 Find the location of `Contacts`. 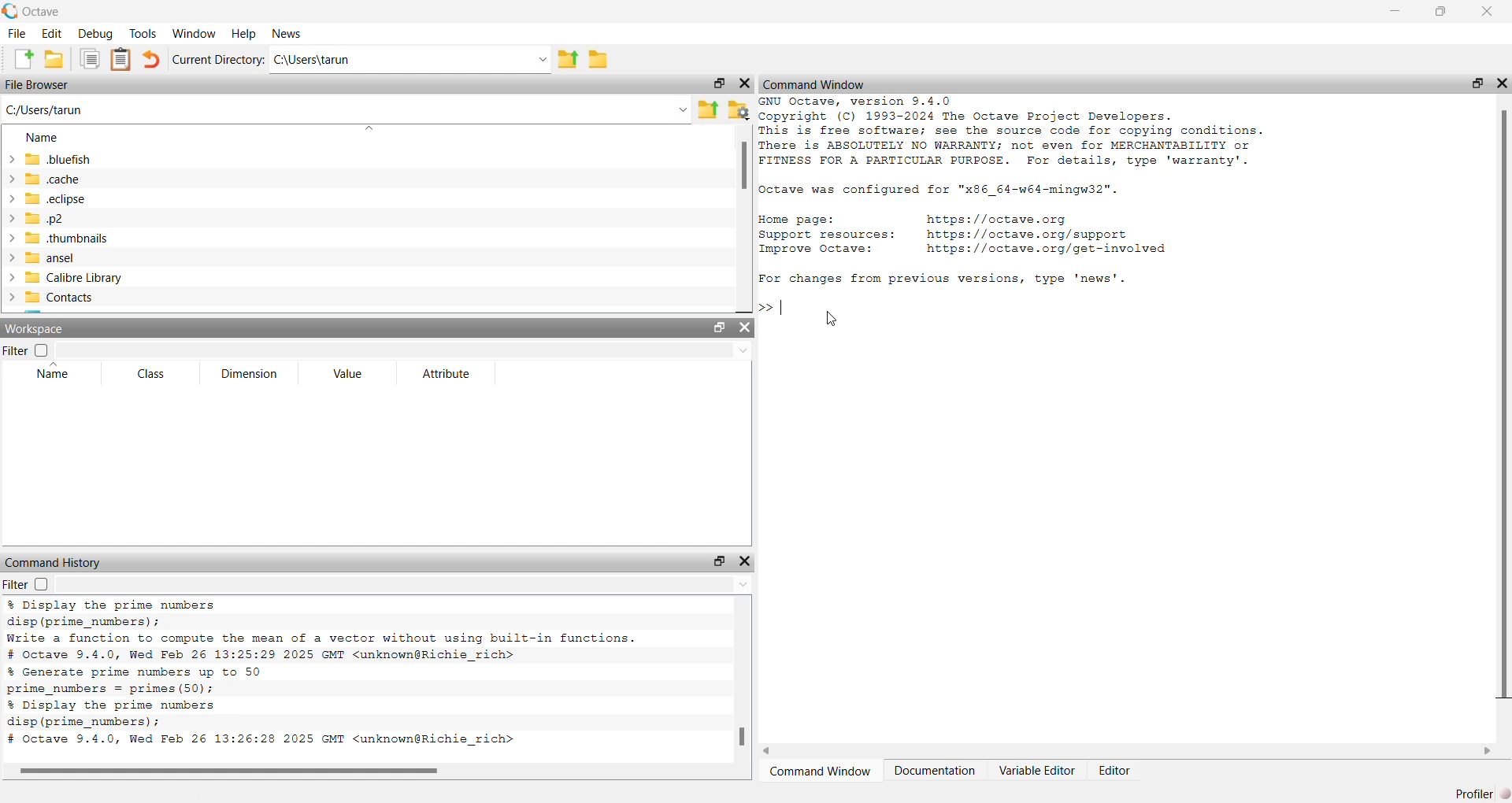

Contacts is located at coordinates (61, 298).